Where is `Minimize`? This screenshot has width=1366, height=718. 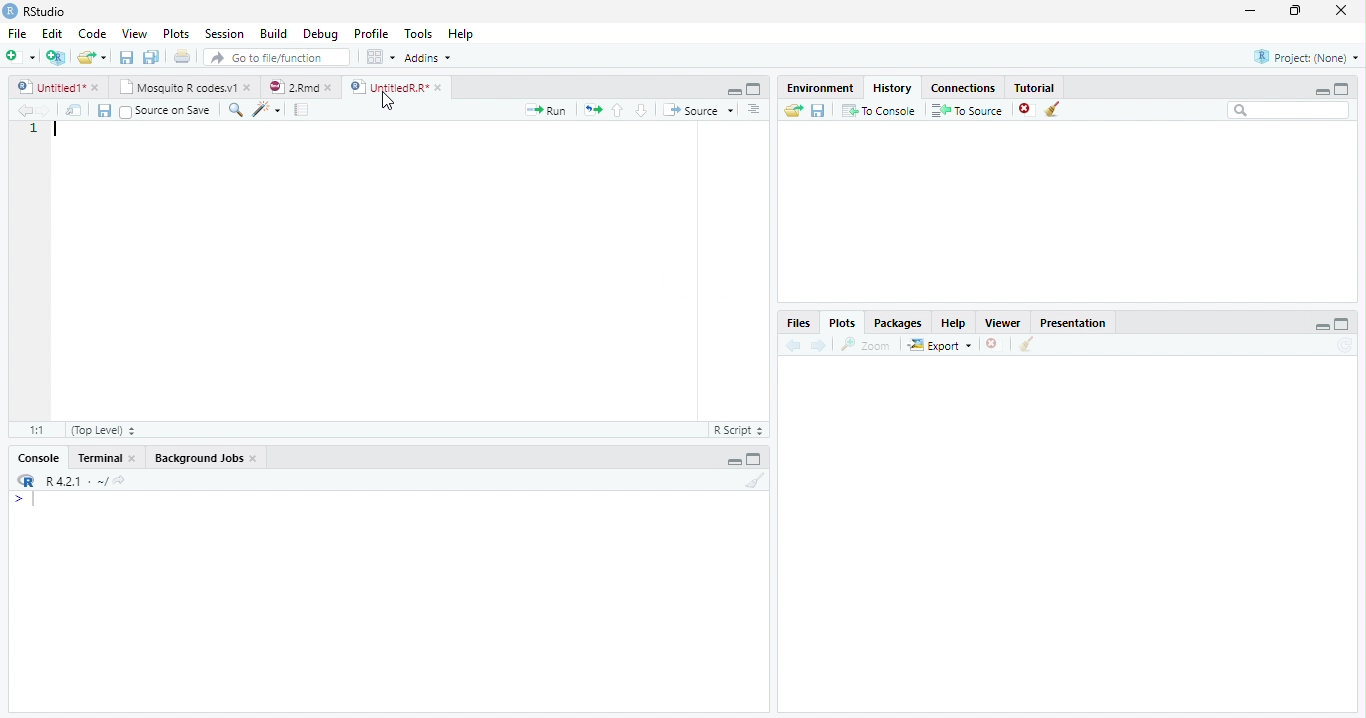 Minimize is located at coordinates (733, 91).